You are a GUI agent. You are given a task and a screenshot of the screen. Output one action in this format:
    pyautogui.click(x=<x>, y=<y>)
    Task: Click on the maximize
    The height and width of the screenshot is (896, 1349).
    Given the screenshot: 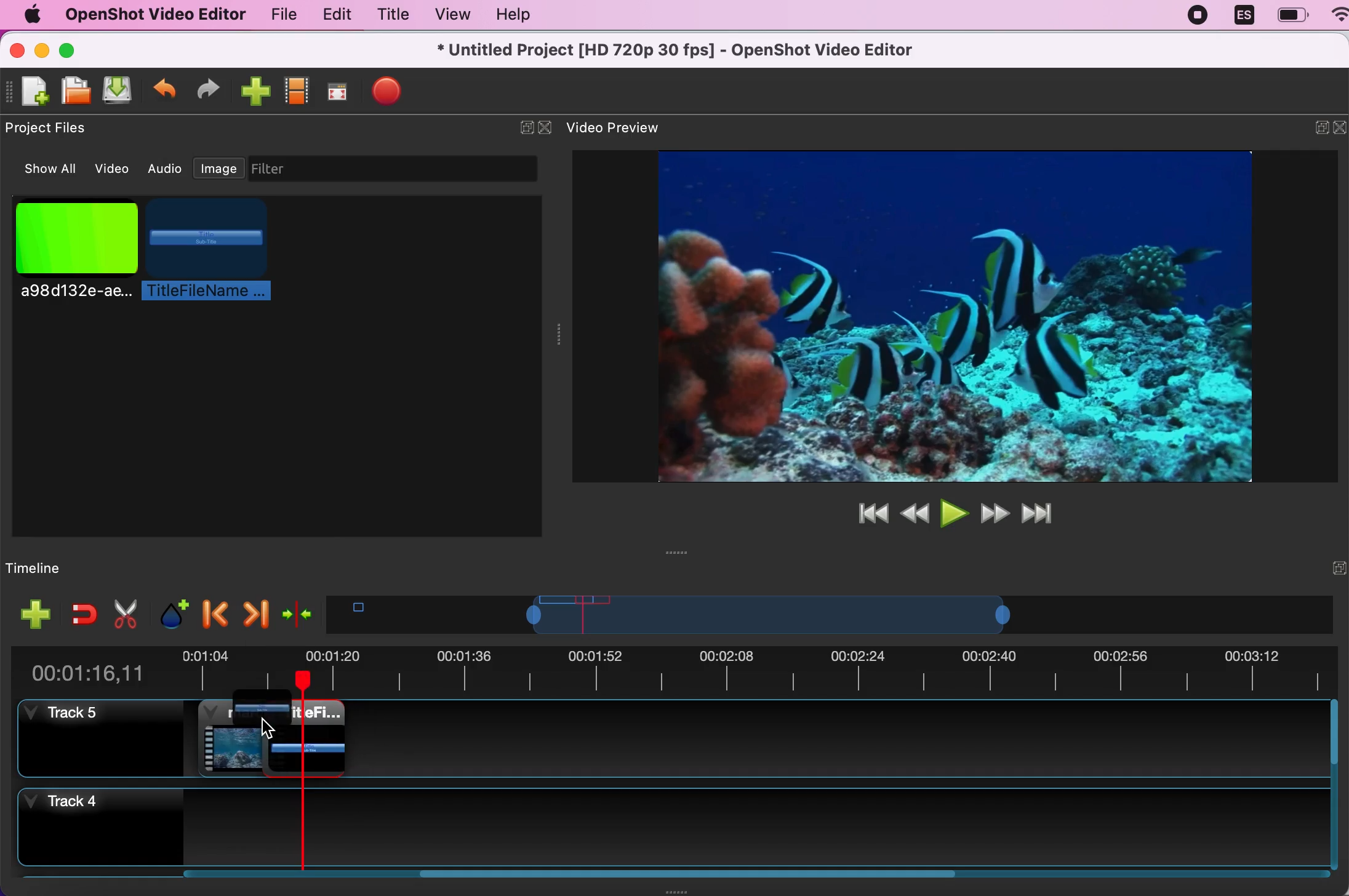 What is the action you would take?
    pyautogui.click(x=82, y=49)
    